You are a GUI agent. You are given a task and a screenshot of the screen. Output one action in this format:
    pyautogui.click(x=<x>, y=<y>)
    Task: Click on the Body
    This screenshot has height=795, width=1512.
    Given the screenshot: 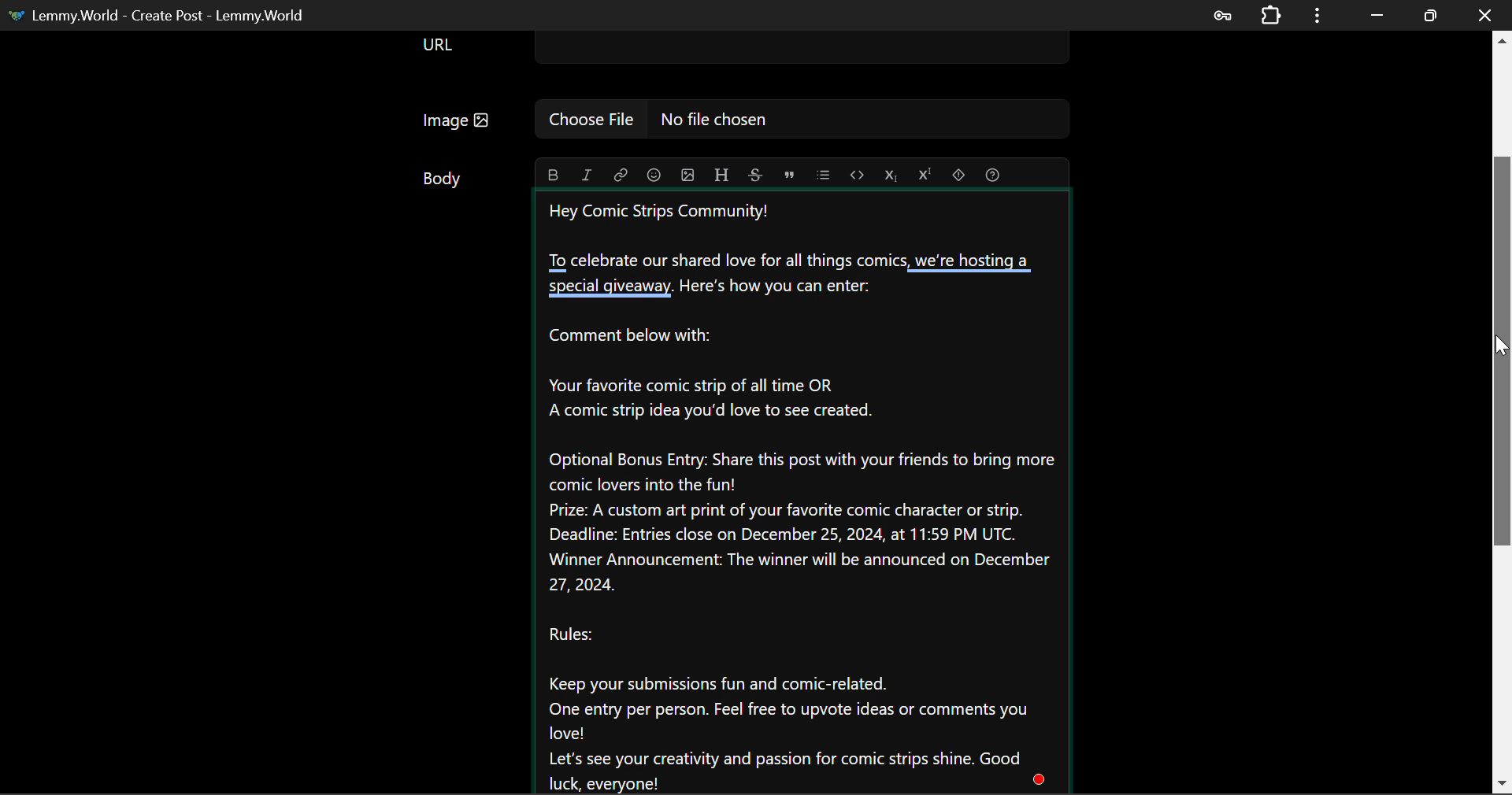 What is the action you would take?
    pyautogui.click(x=448, y=181)
    